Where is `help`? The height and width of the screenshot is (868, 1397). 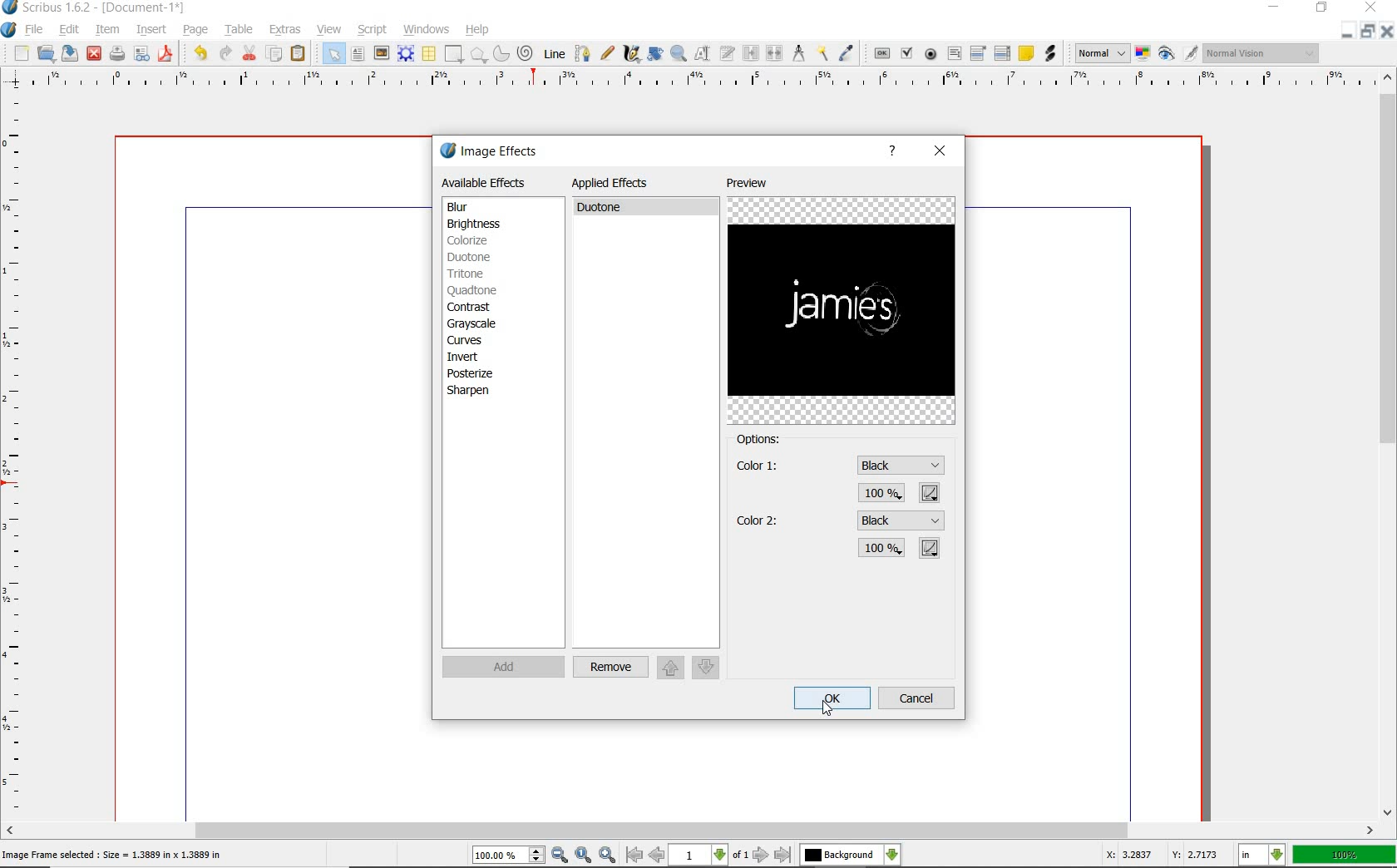
help is located at coordinates (480, 30).